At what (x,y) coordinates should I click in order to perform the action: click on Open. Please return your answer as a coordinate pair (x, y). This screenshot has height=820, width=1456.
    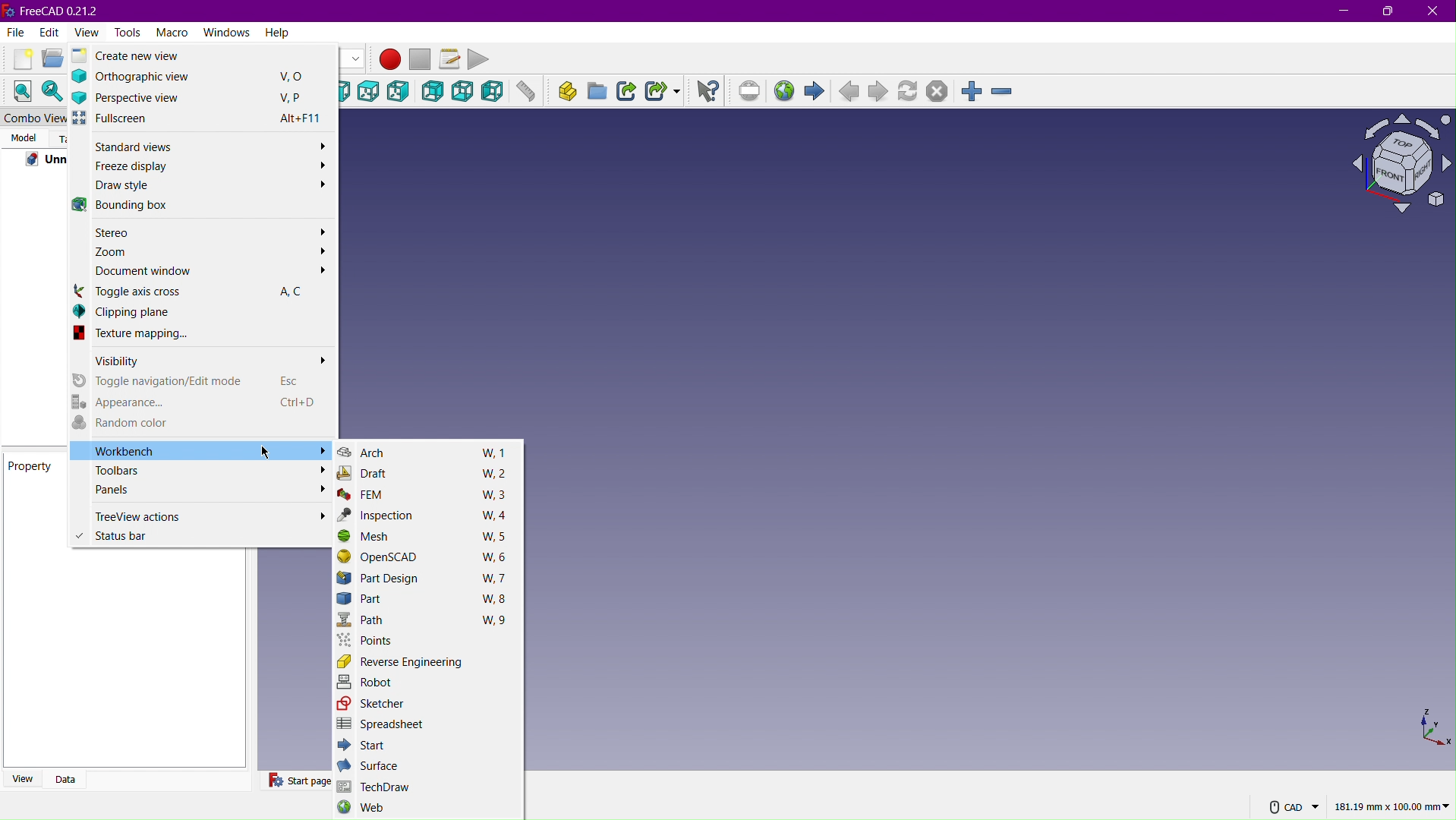
    Looking at the image, I should click on (55, 58).